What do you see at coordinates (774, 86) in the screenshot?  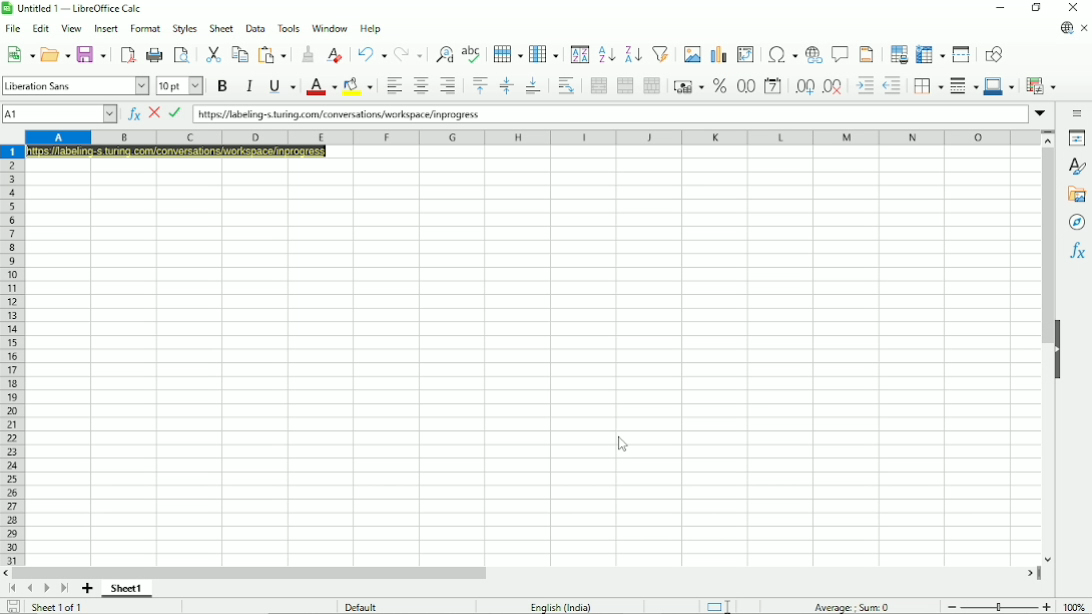 I see `Format as date` at bounding box center [774, 86].